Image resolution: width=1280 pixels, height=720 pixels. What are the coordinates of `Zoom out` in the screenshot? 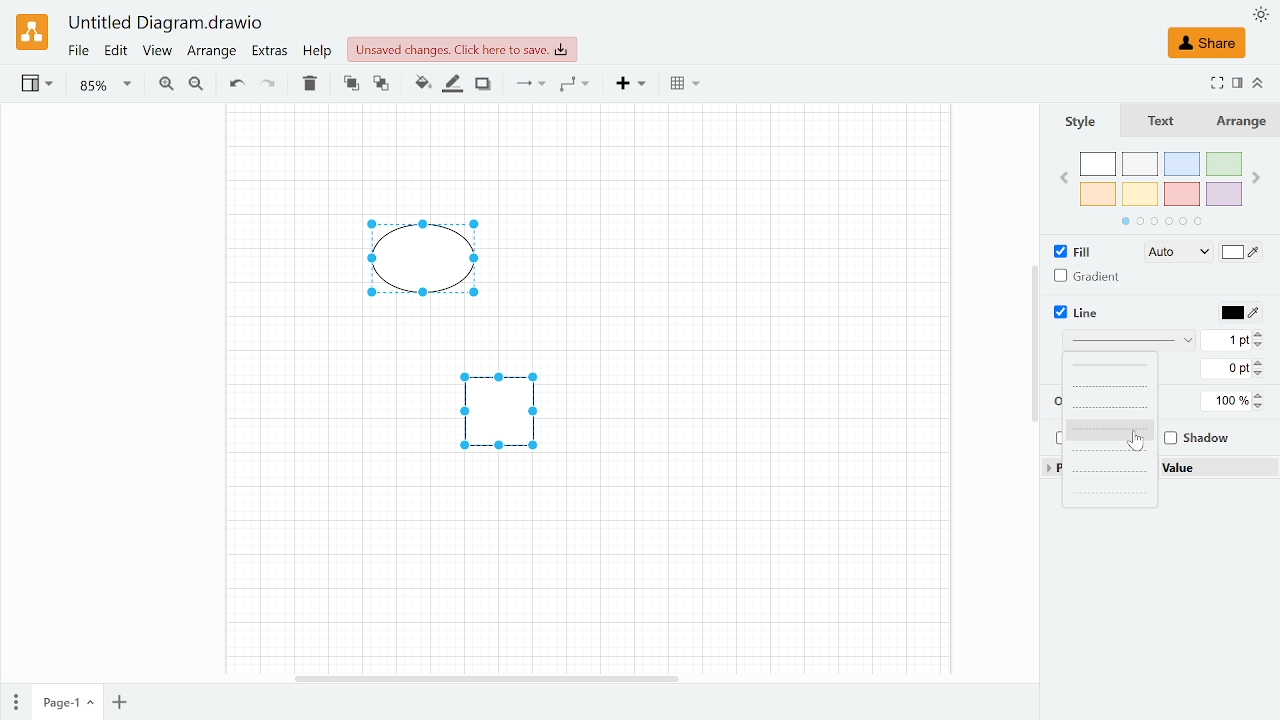 It's located at (196, 85).